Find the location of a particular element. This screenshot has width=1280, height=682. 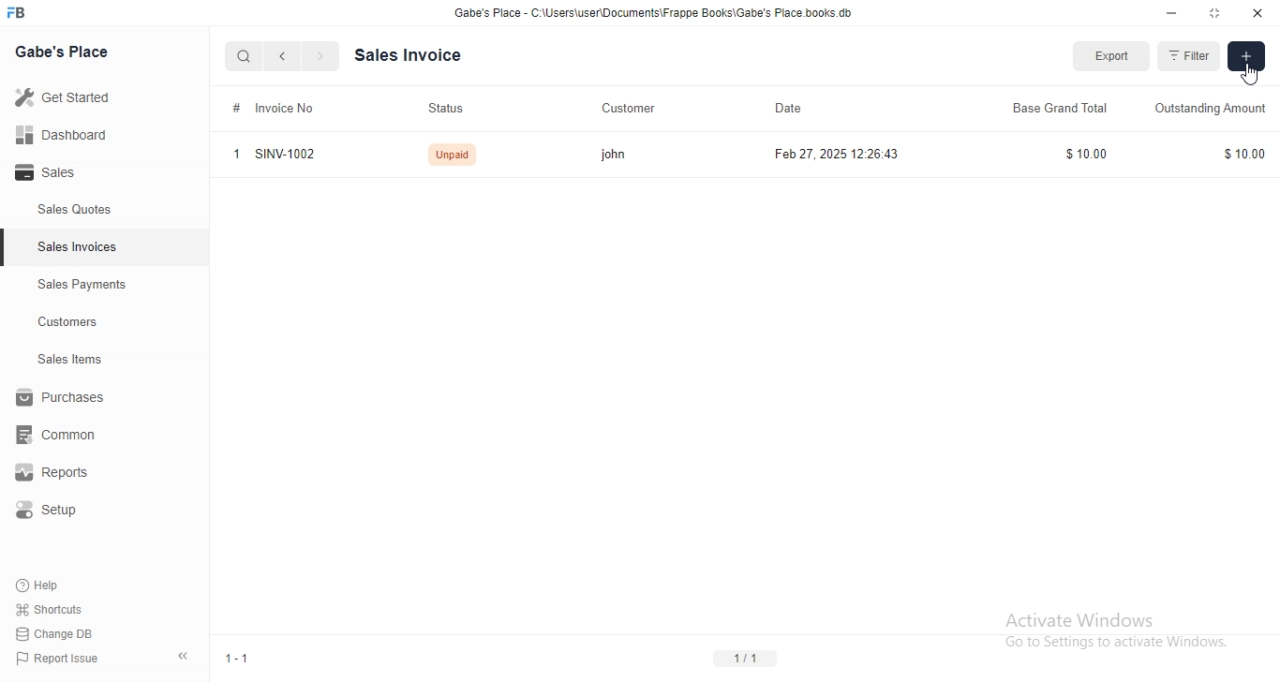

minimize is located at coordinates (1163, 15).